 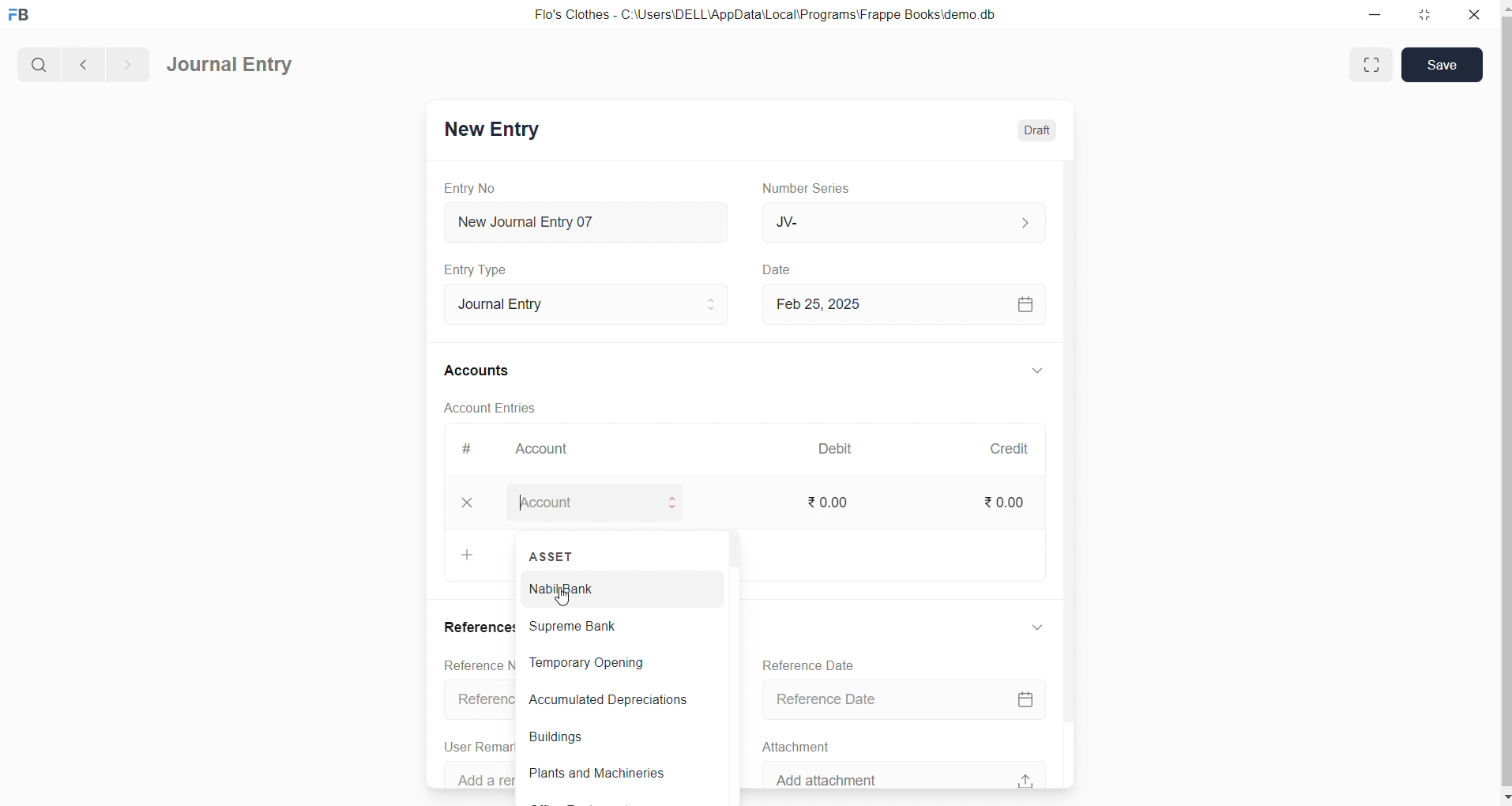 I want to click on search, so click(x=37, y=62).